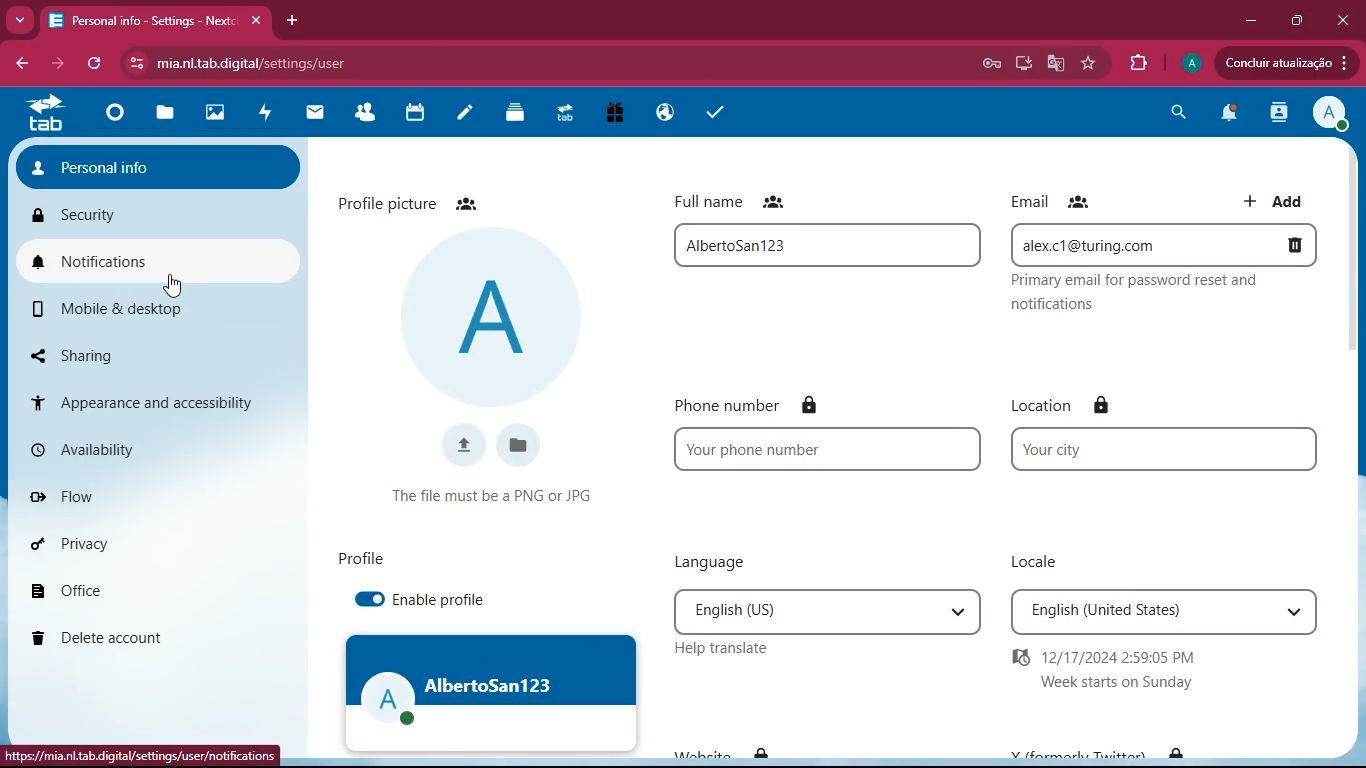  I want to click on language, so click(717, 563).